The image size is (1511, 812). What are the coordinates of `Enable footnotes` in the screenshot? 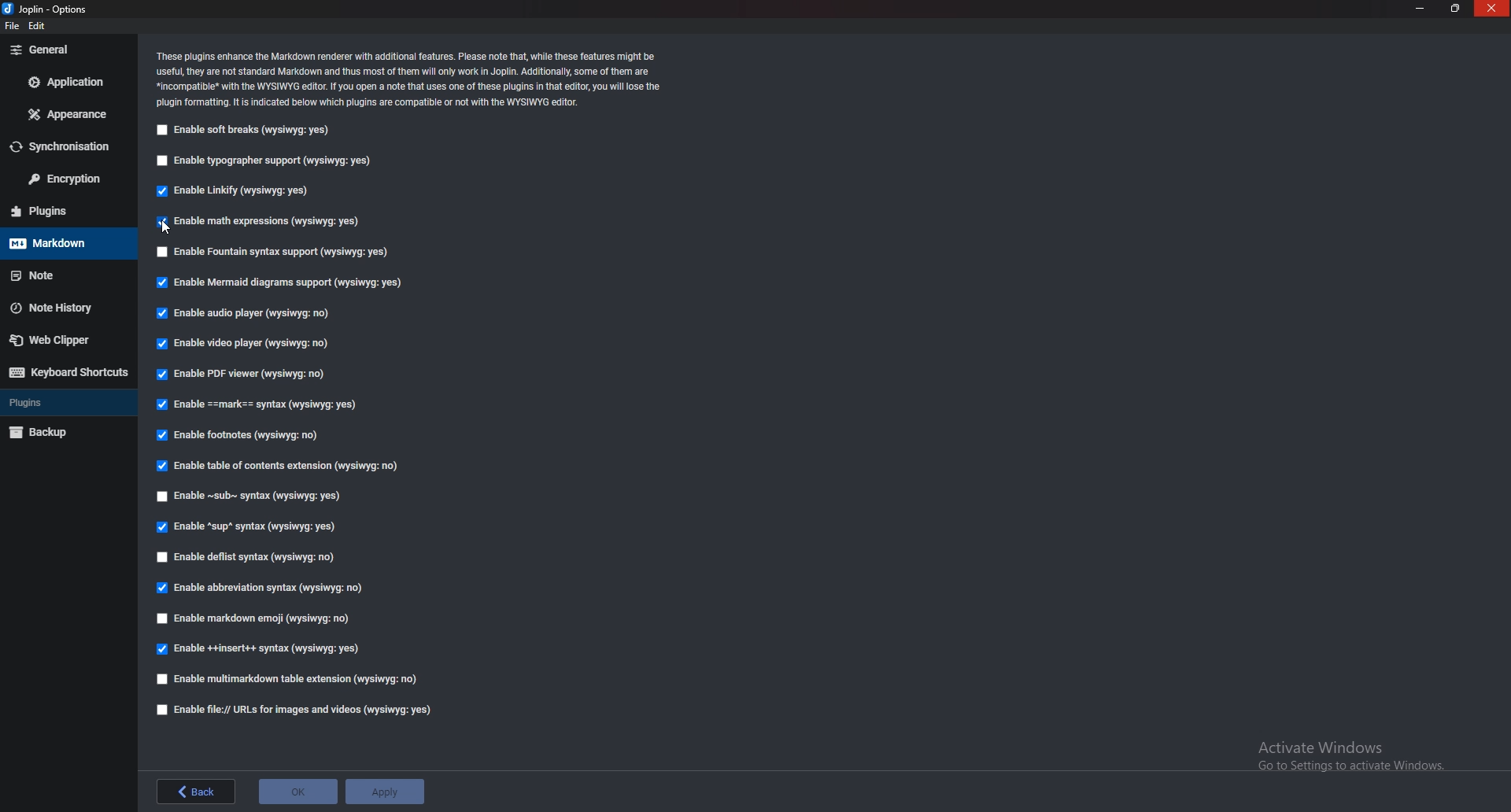 It's located at (242, 434).